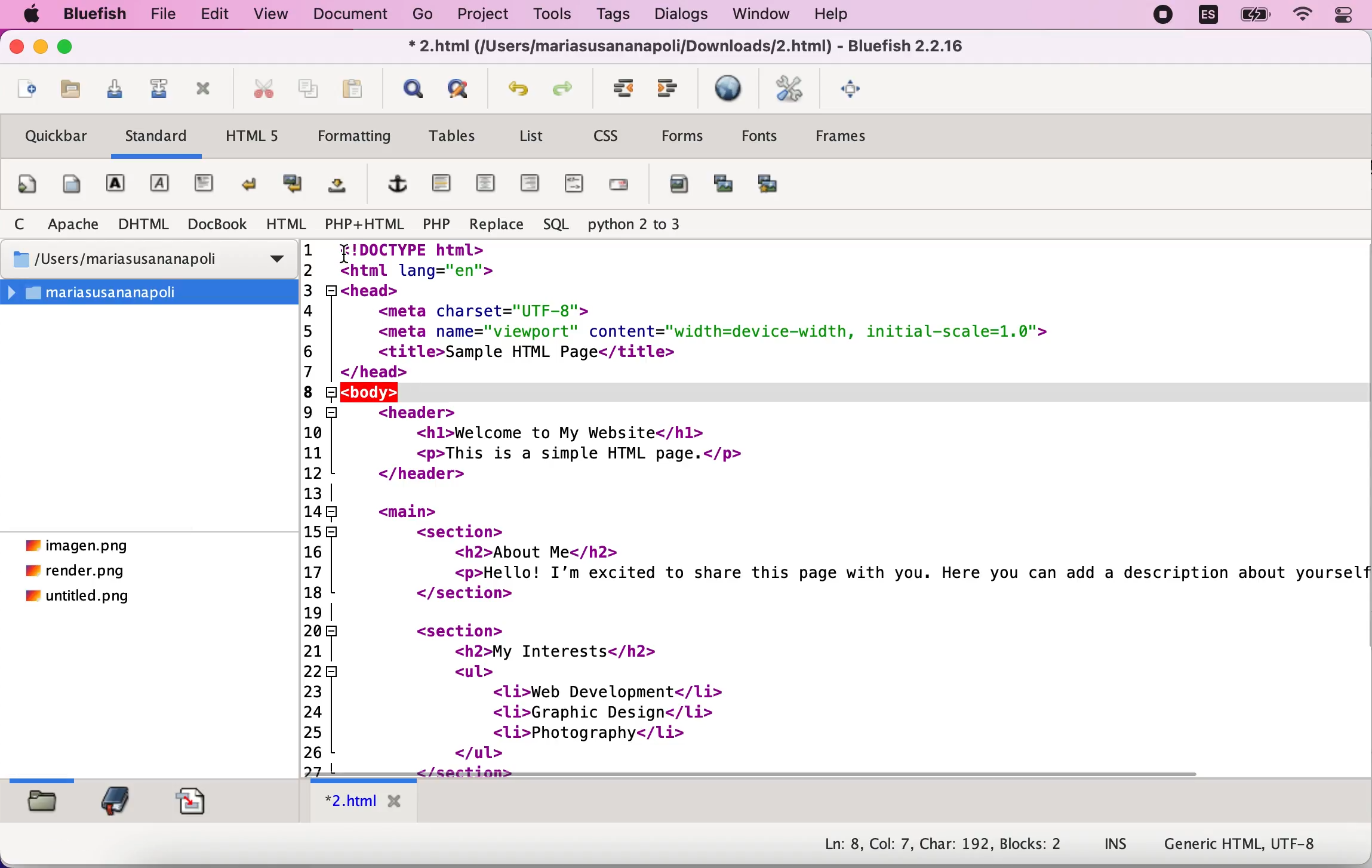 The width and height of the screenshot is (1372, 868). I want to click on fonts, so click(760, 138).